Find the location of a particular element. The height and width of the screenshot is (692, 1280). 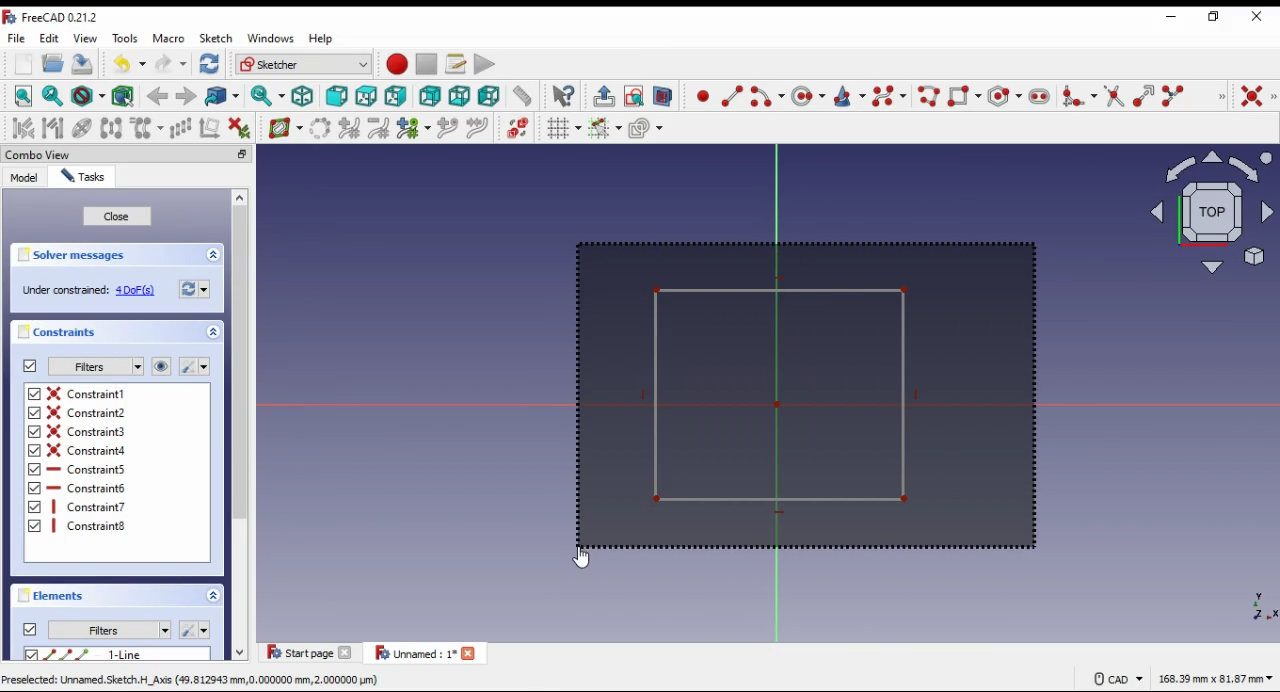

fit selection is located at coordinates (53, 96).